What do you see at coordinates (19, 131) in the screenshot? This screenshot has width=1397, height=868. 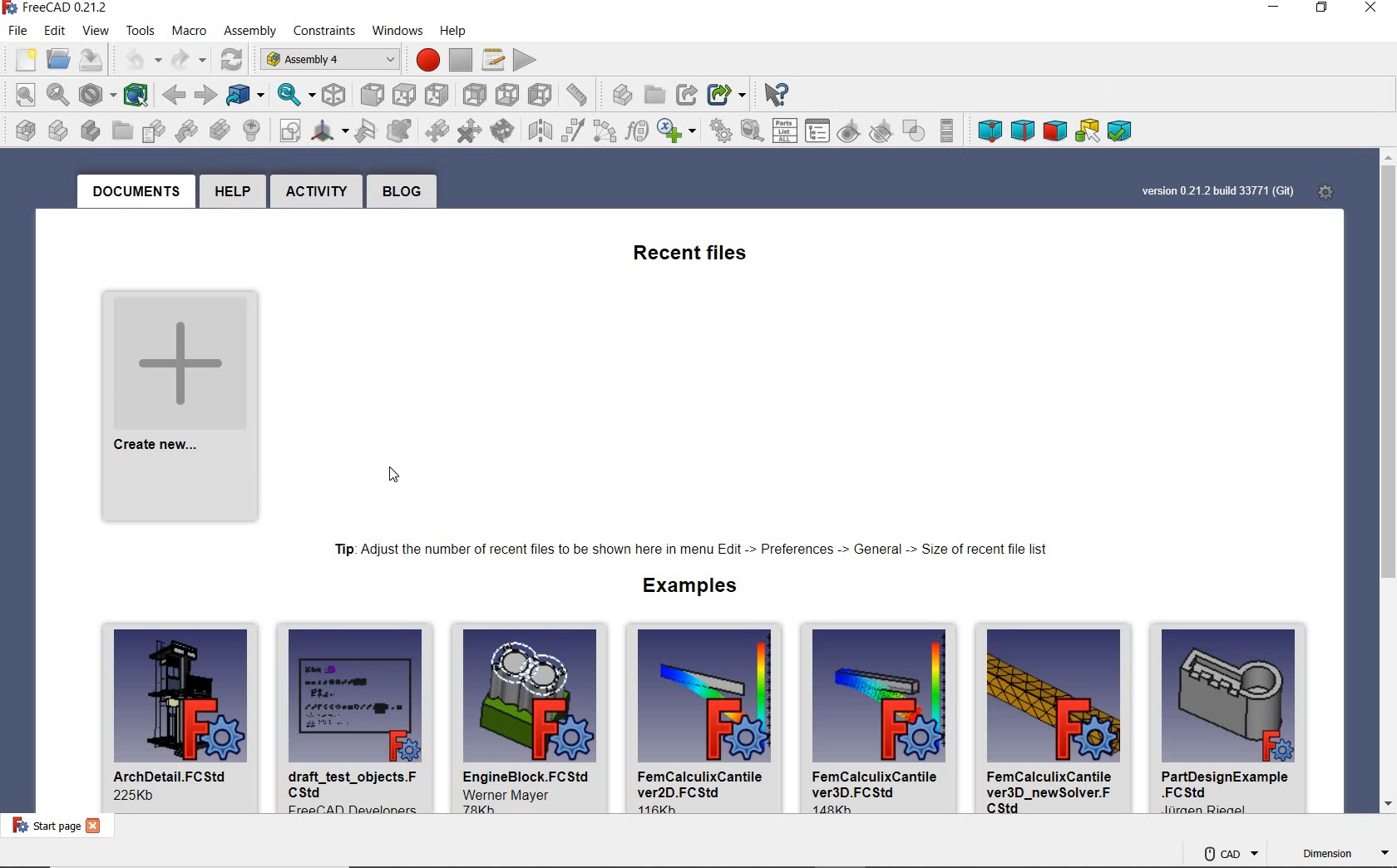 I see `new assembly` at bounding box center [19, 131].